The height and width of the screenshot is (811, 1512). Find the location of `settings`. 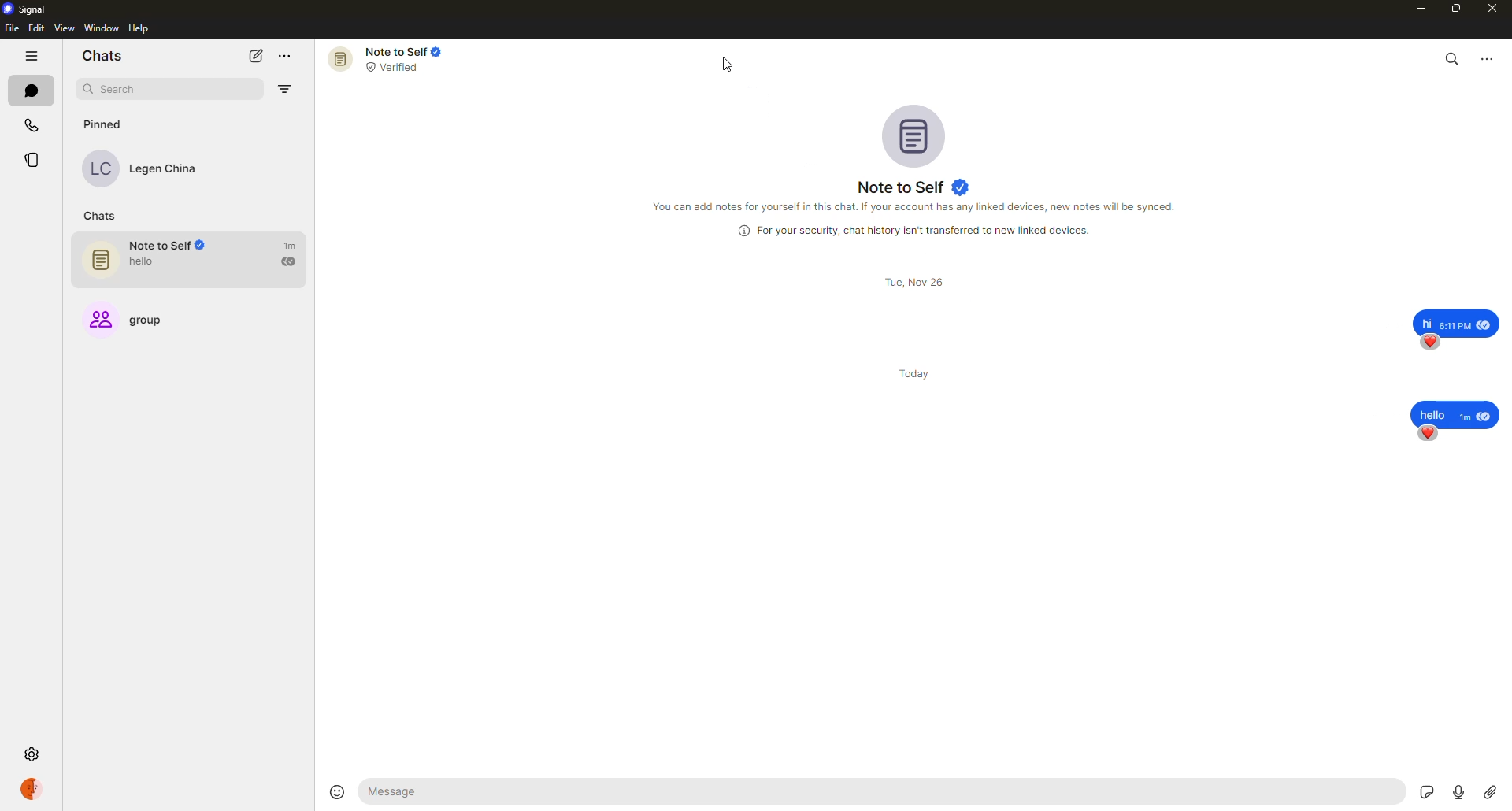

settings is located at coordinates (30, 755).